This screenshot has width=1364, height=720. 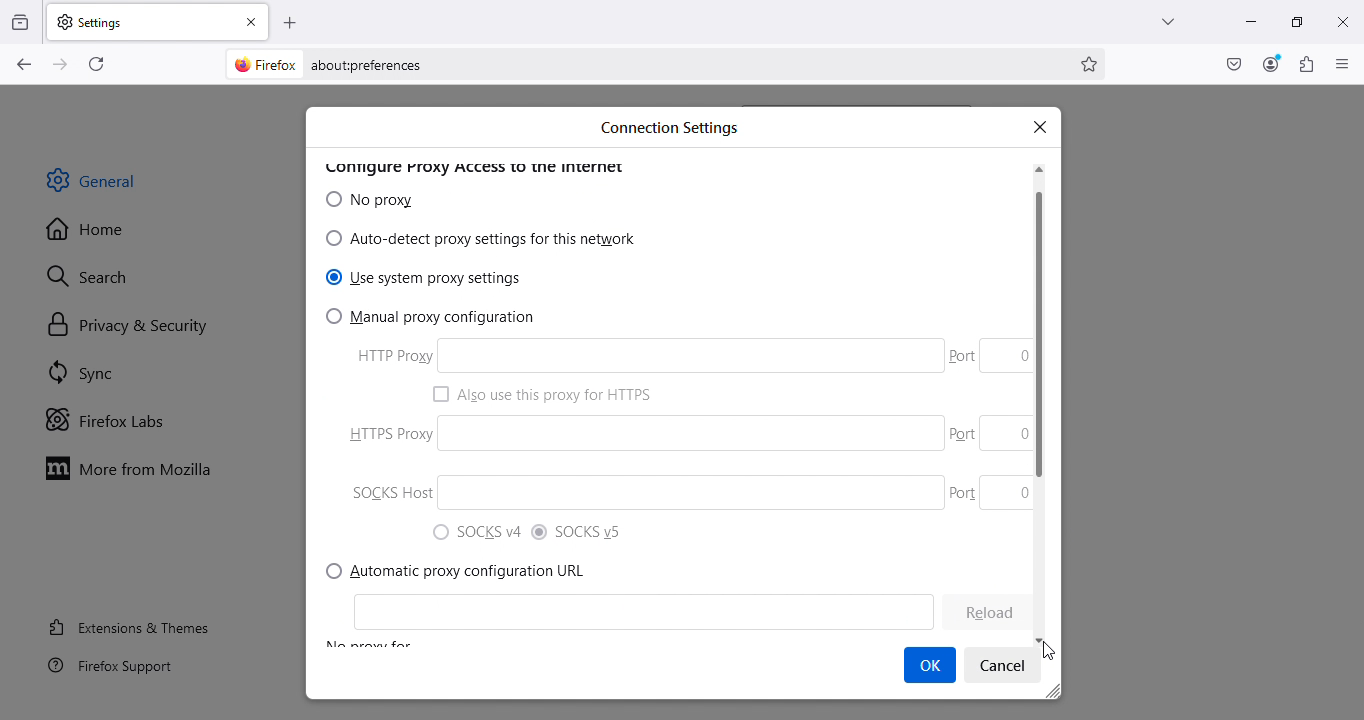 What do you see at coordinates (98, 179) in the screenshot?
I see `General` at bounding box center [98, 179].